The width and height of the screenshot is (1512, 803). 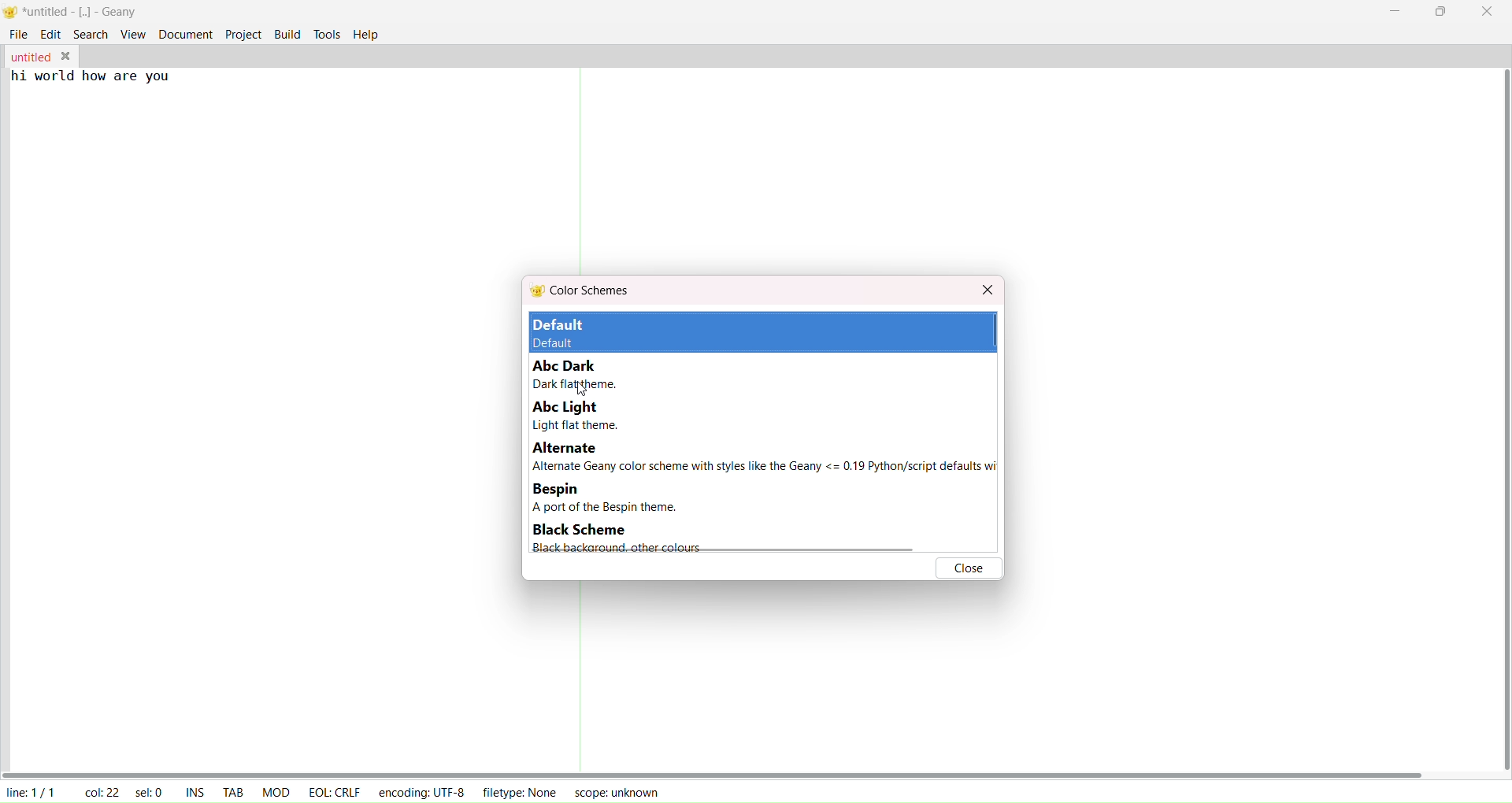 What do you see at coordinates (573, 385) in the screenshot?
I see `dark flat theme` at bounding box center [573, 385].